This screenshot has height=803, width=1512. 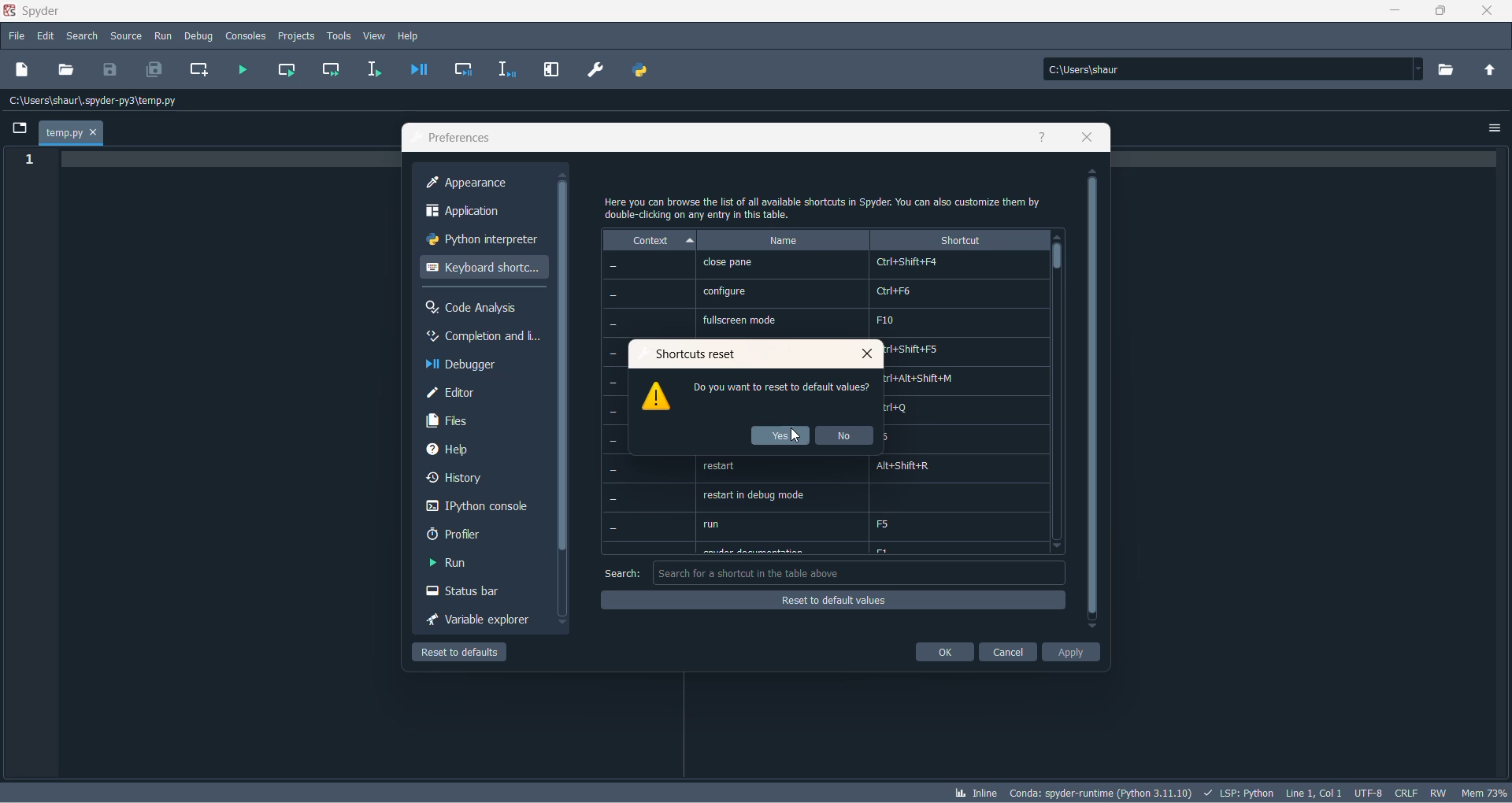 What do you see at coordinates (287, 68) in the screenshot?
I see `run current cell` at bounding box center [287, 68].